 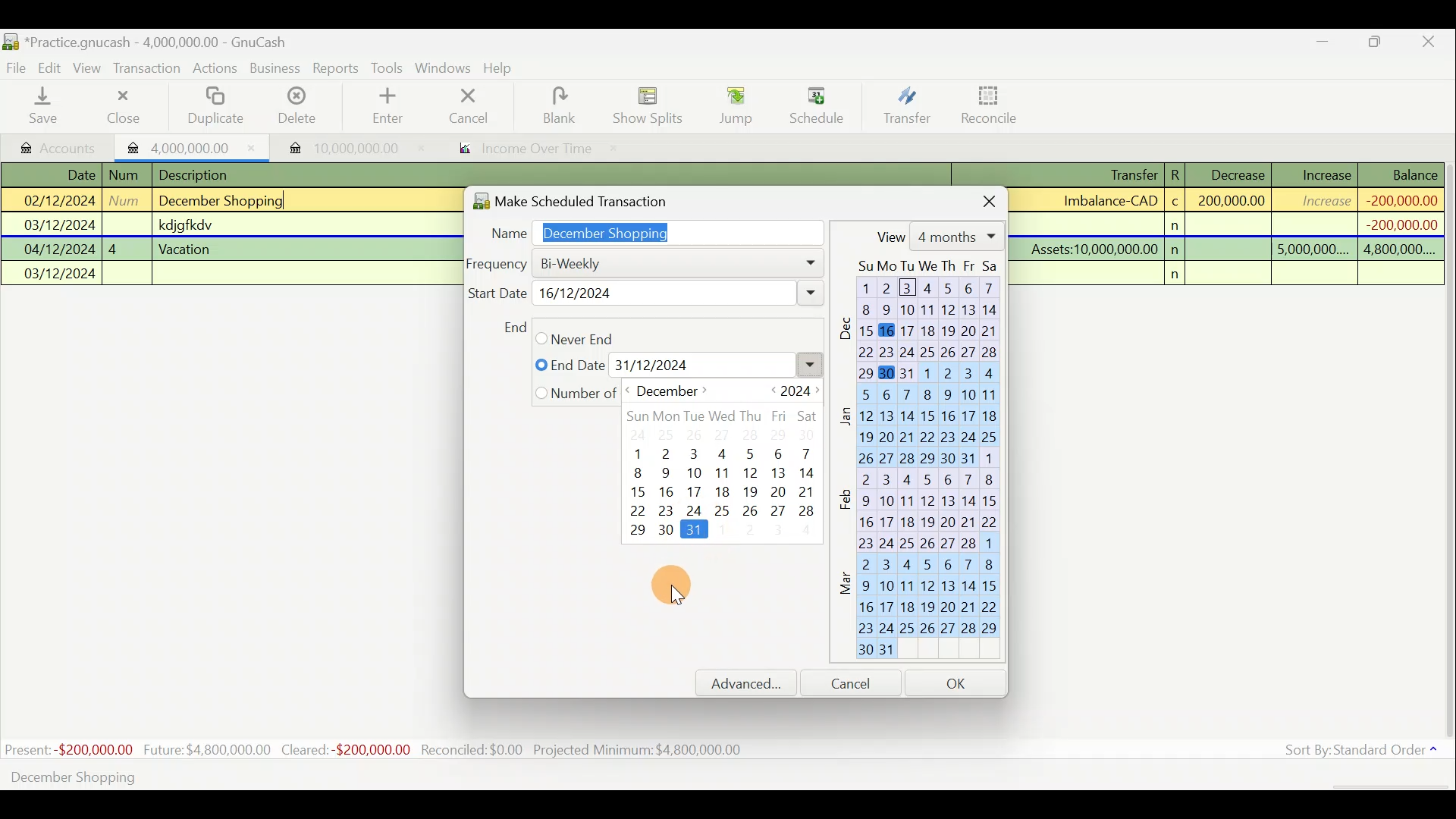 I want to click on Calendar, so click(x=925, y=463).